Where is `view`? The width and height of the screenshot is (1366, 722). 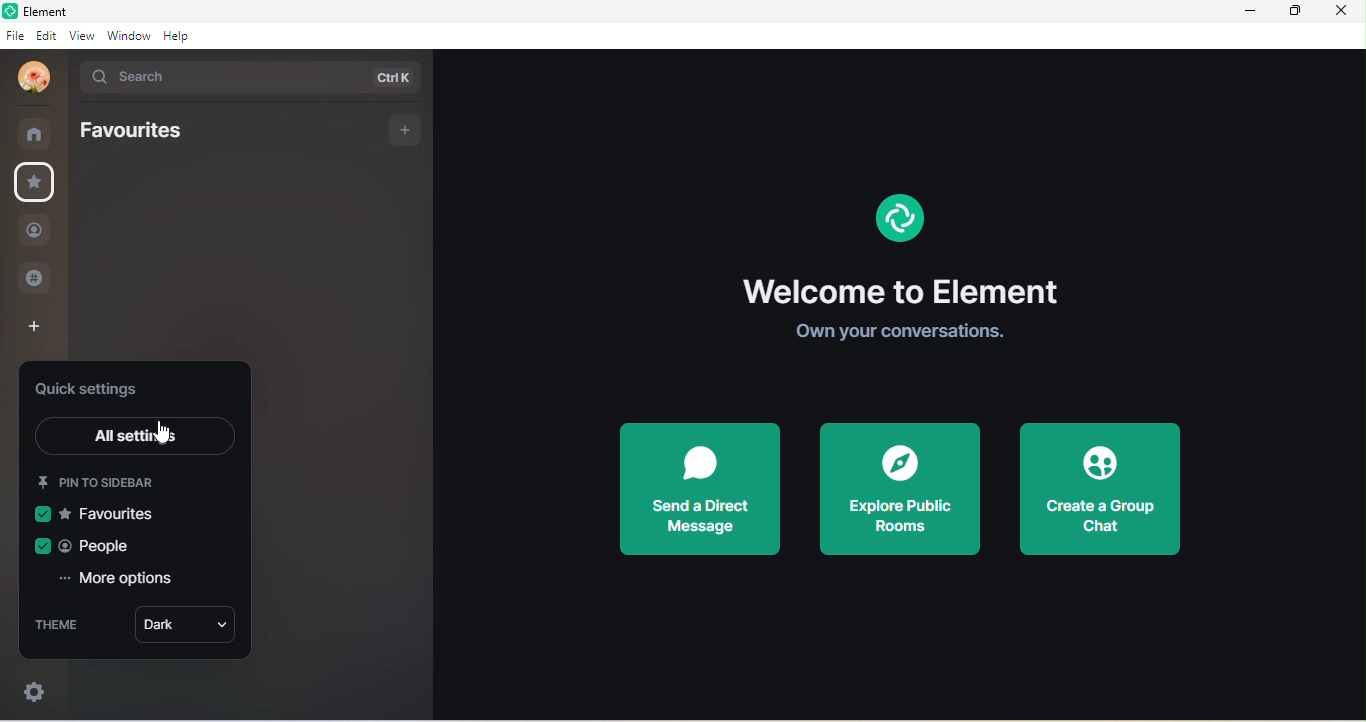 view is located at coordinates (82, 37).